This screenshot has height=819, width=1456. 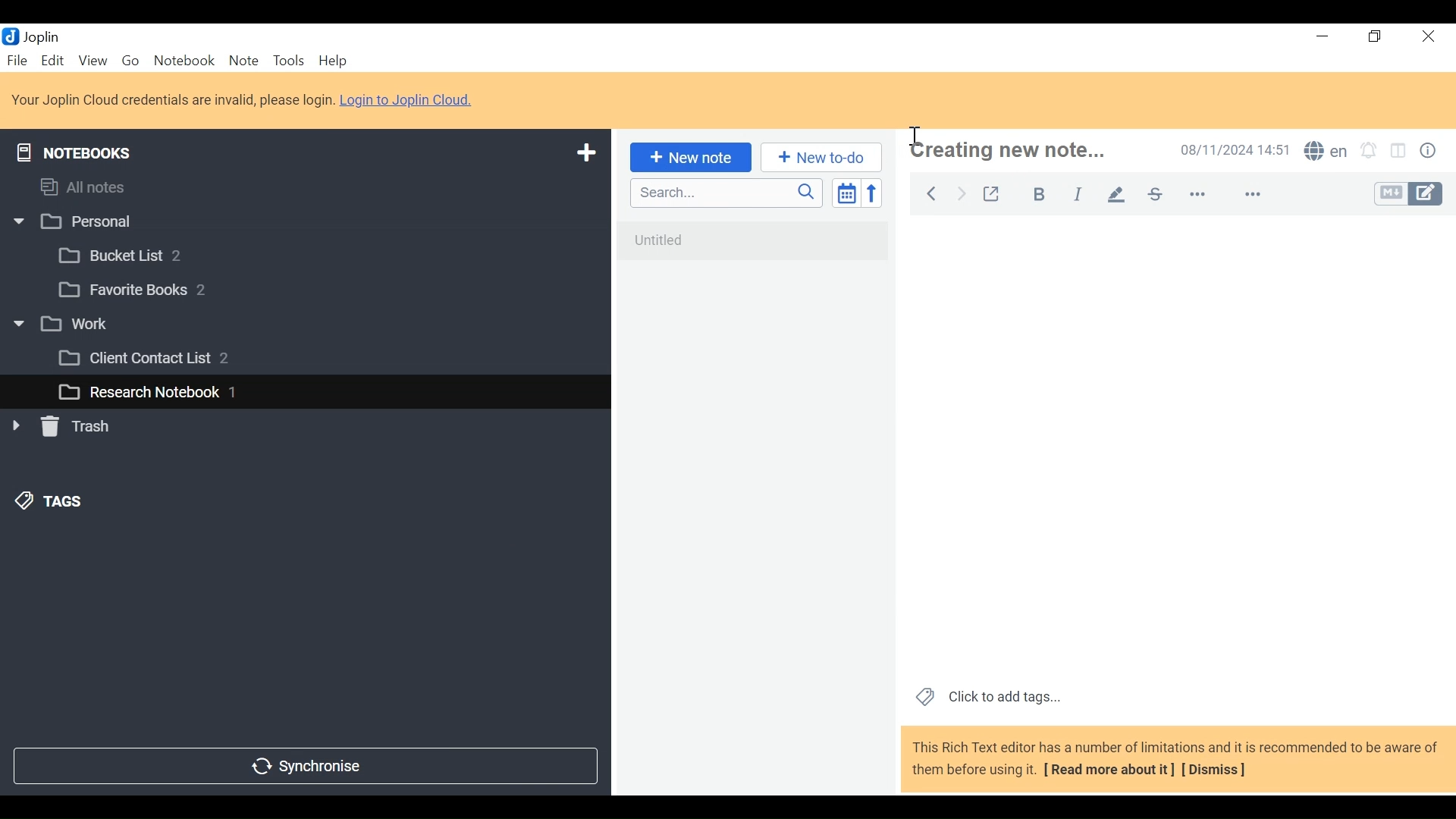 I want to click on Toggle Editor, so click(x=1410, y=194).